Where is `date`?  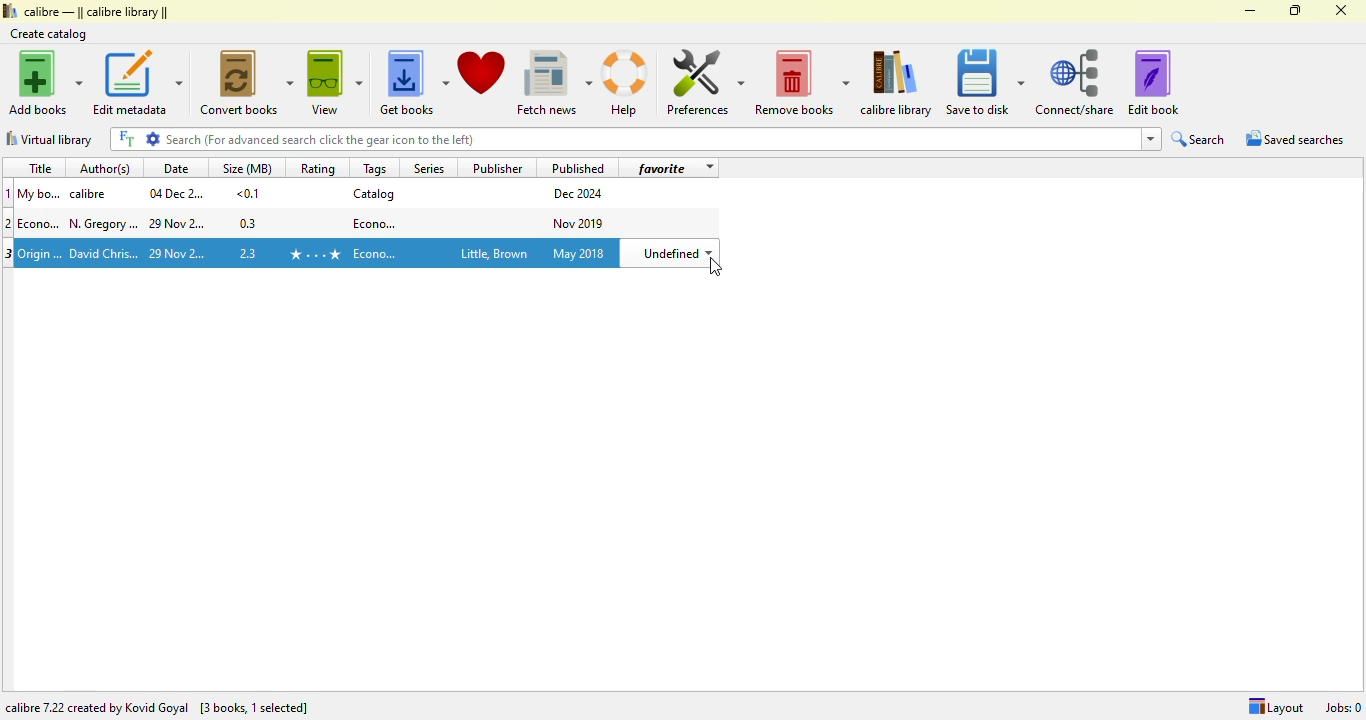
date is located at coordinates (178, 225).